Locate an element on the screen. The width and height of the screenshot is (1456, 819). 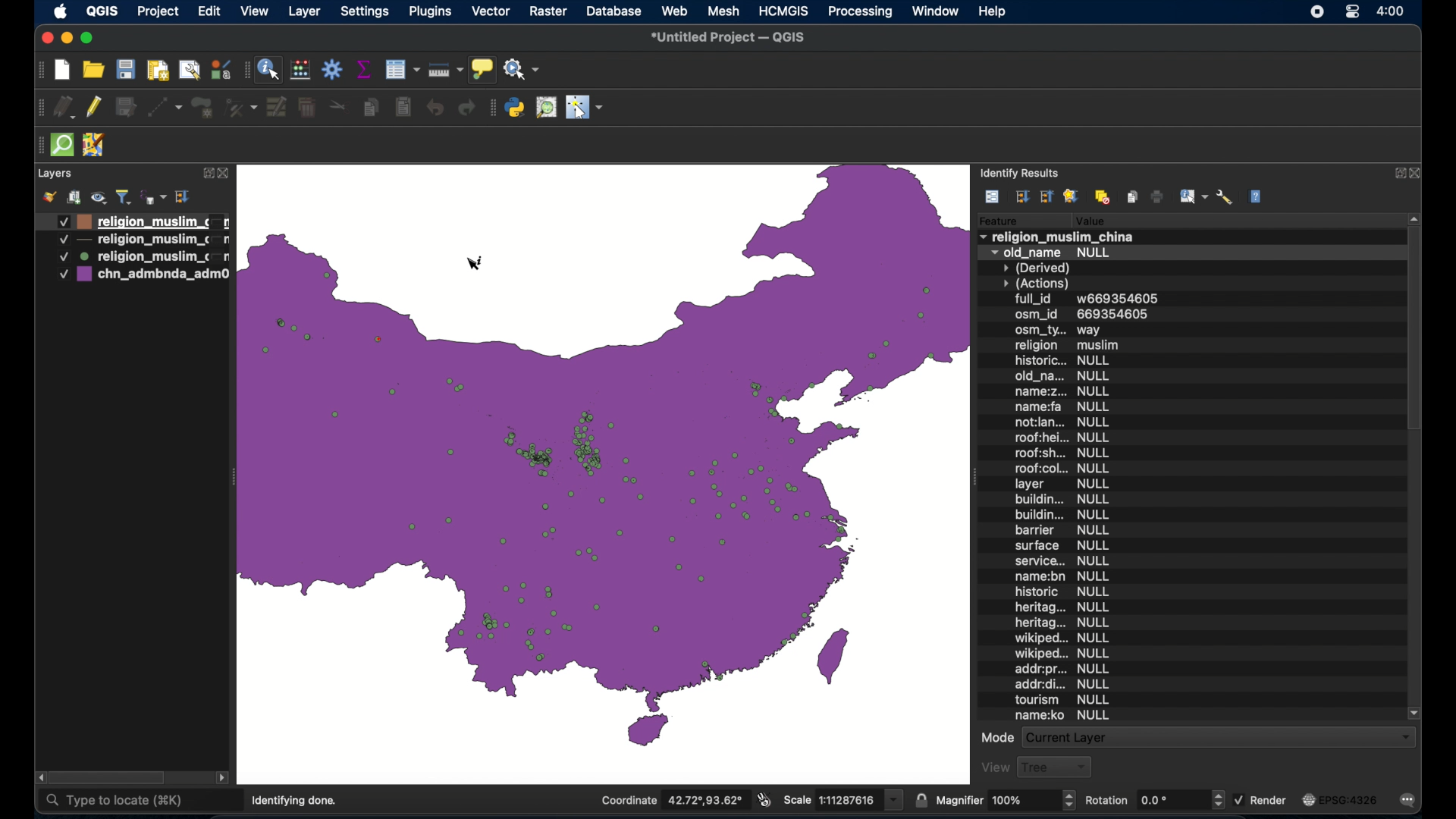
value is located at coordinates (1091, 219).